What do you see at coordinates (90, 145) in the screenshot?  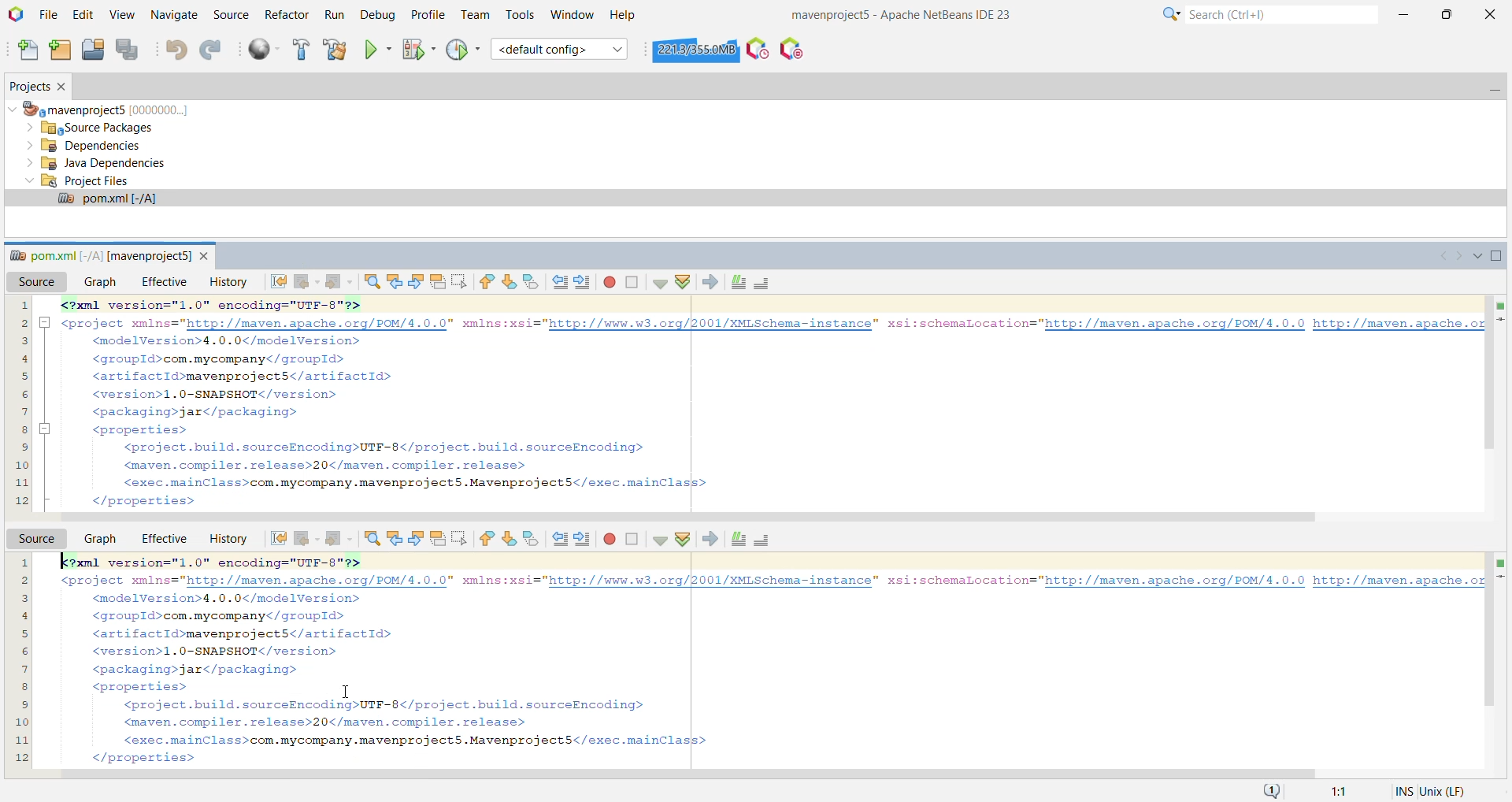 I see `Dependencies` at bounding box center [90, 145].